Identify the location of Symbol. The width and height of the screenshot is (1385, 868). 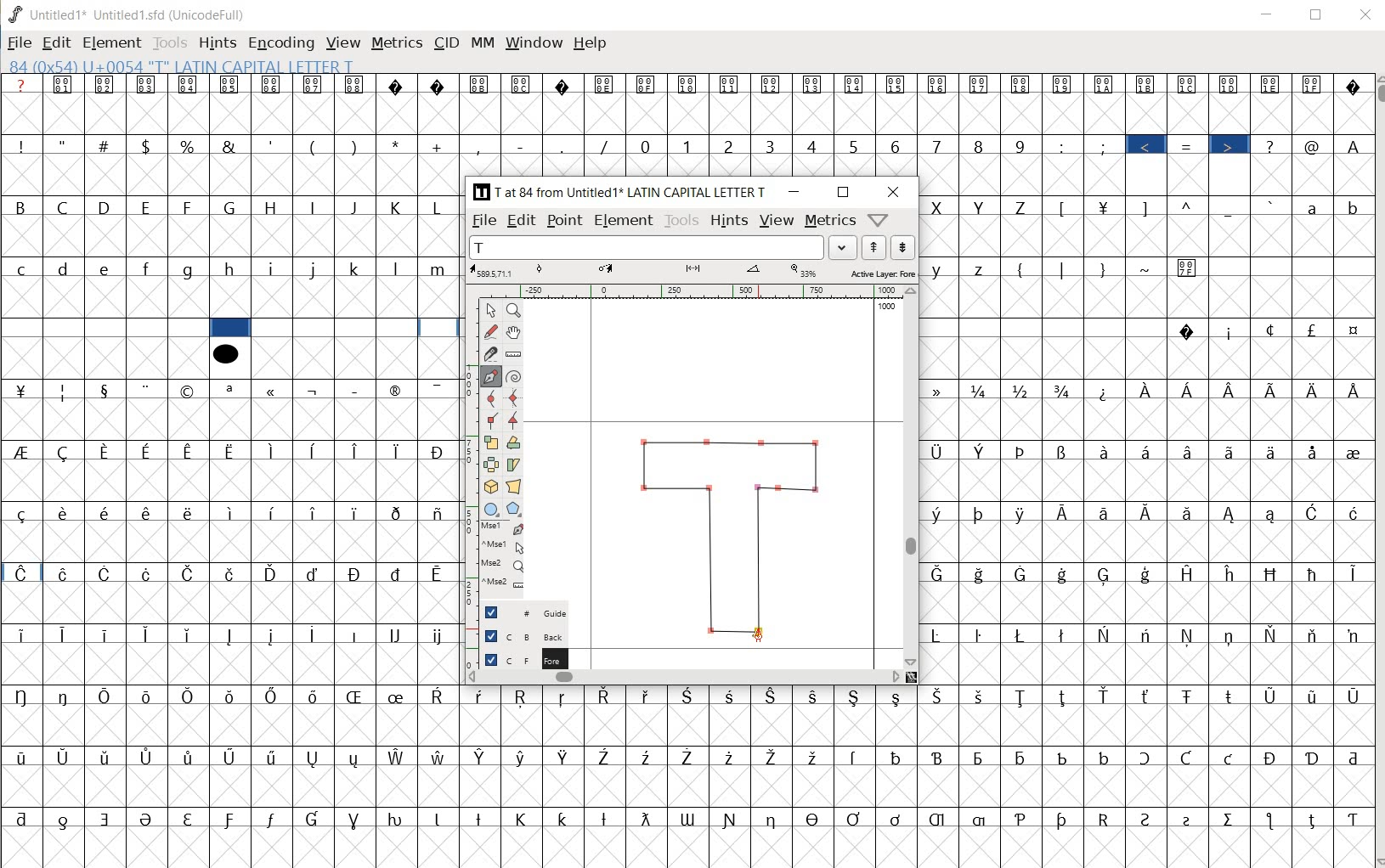
(399, 634).